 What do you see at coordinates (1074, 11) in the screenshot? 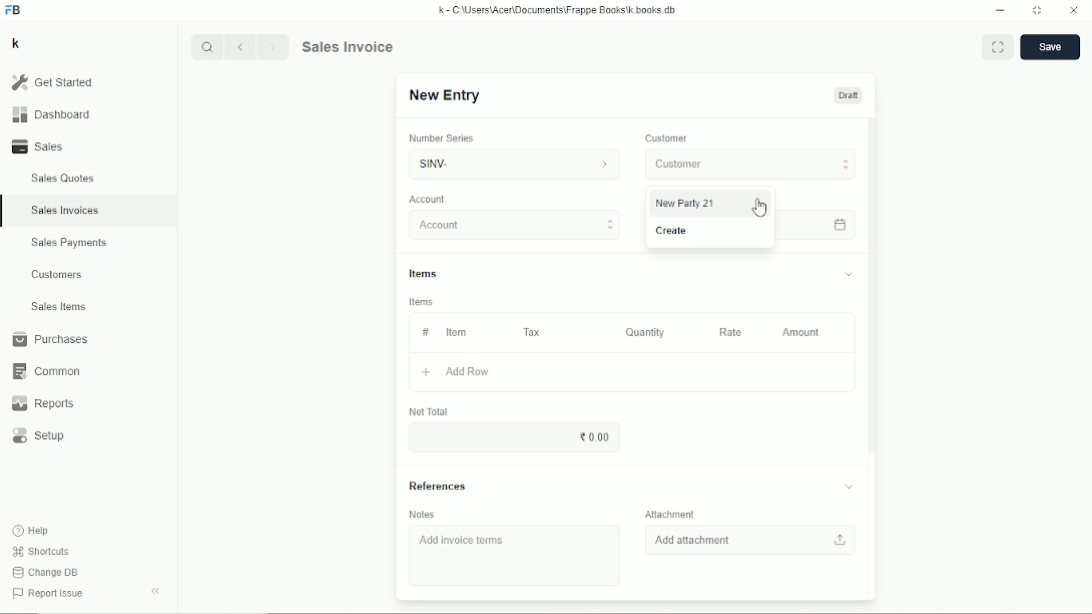
I see `Close` at bounding box center [1074, 11].